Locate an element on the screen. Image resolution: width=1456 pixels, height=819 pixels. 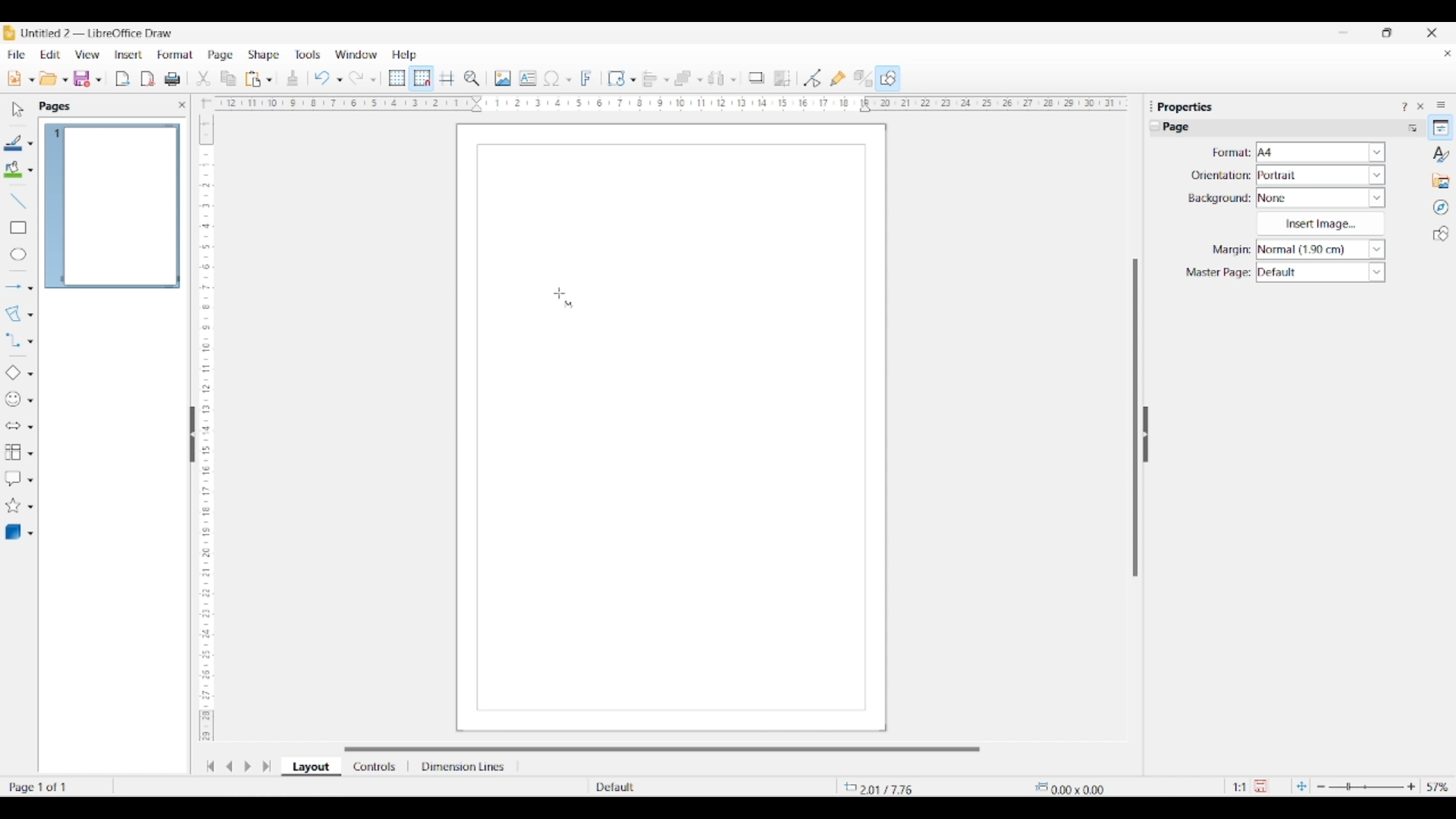
Float properties panel is located at coordinates (1151, 106).